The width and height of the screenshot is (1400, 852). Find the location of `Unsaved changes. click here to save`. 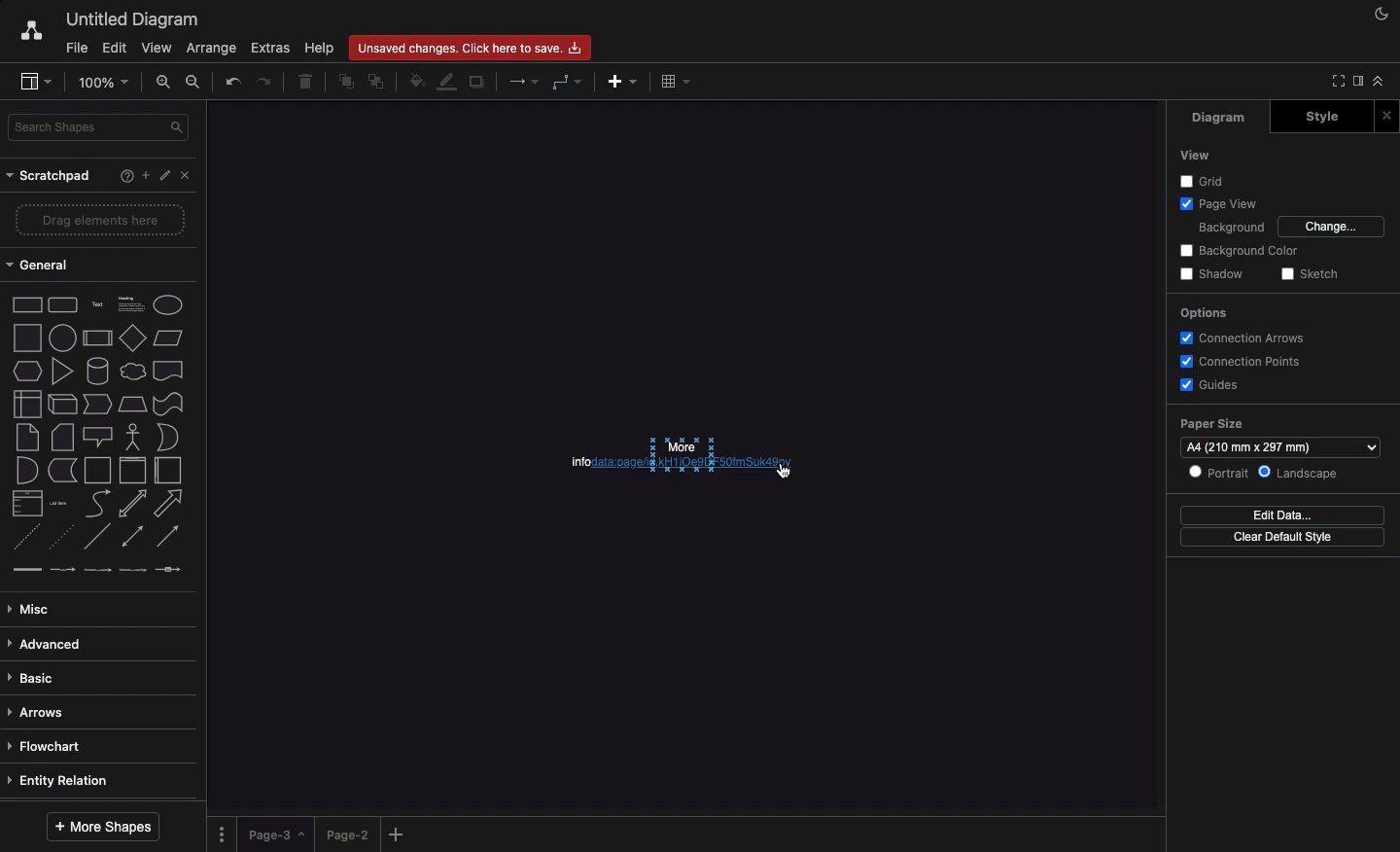

Unsaved changes. click here to save is located at coordinates (468, 47).